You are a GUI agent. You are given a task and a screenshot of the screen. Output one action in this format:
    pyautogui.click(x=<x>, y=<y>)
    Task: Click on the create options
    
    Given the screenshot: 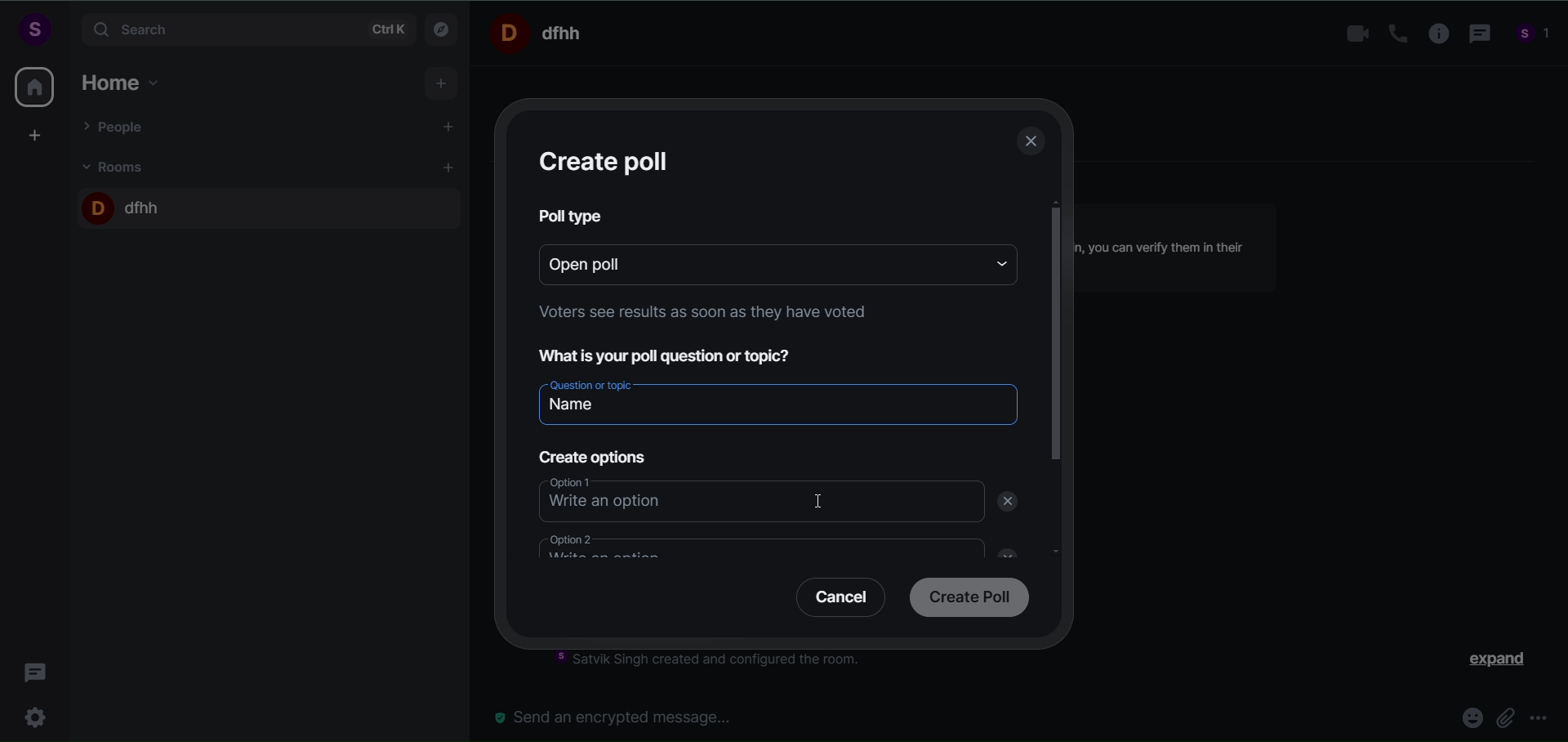 What is the action you would take?
    pyautogui.click(x=590, y=454)
    